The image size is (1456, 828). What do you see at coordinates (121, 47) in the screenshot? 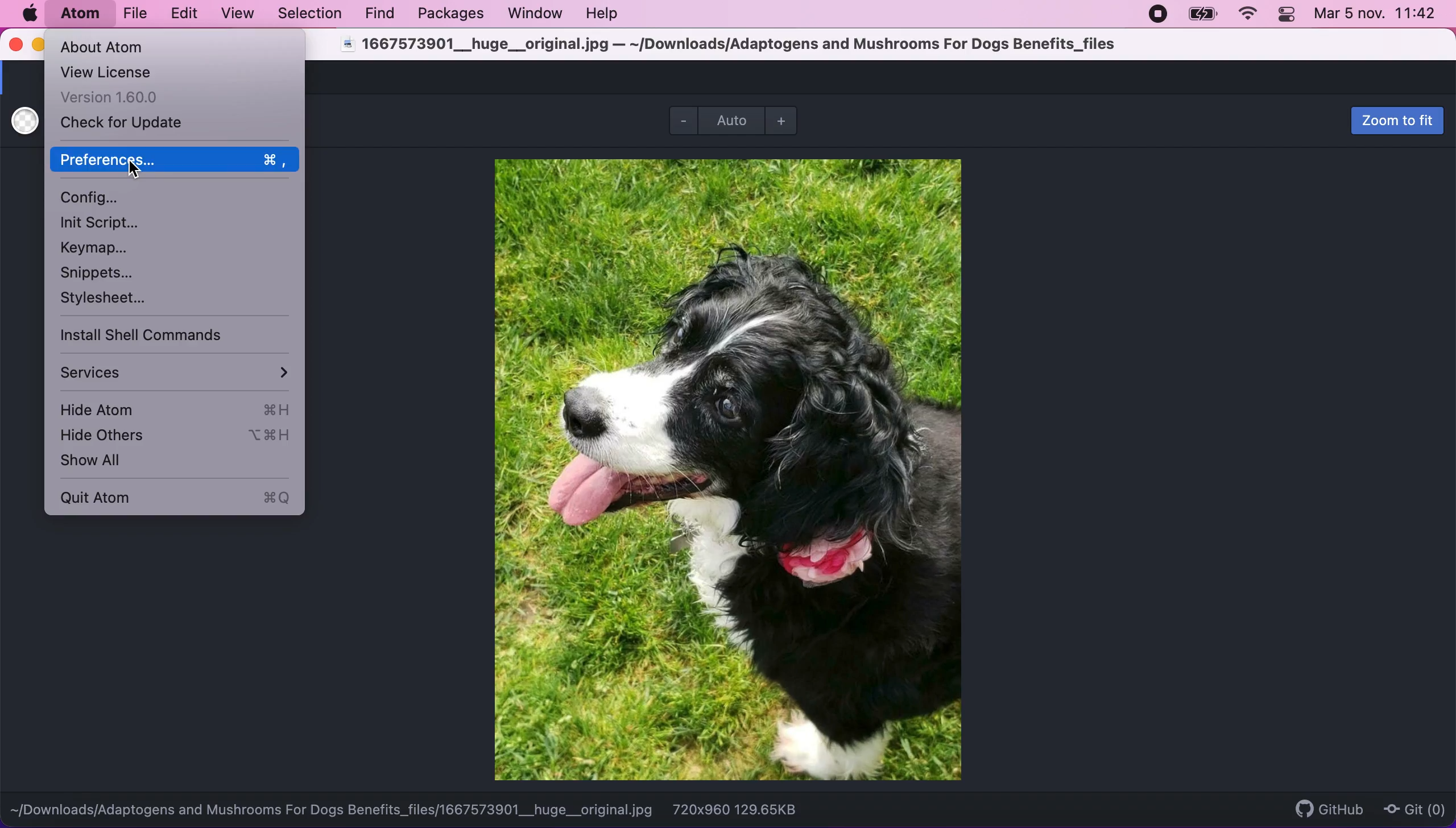
I see `about atom` at bounding box center [121, 47].